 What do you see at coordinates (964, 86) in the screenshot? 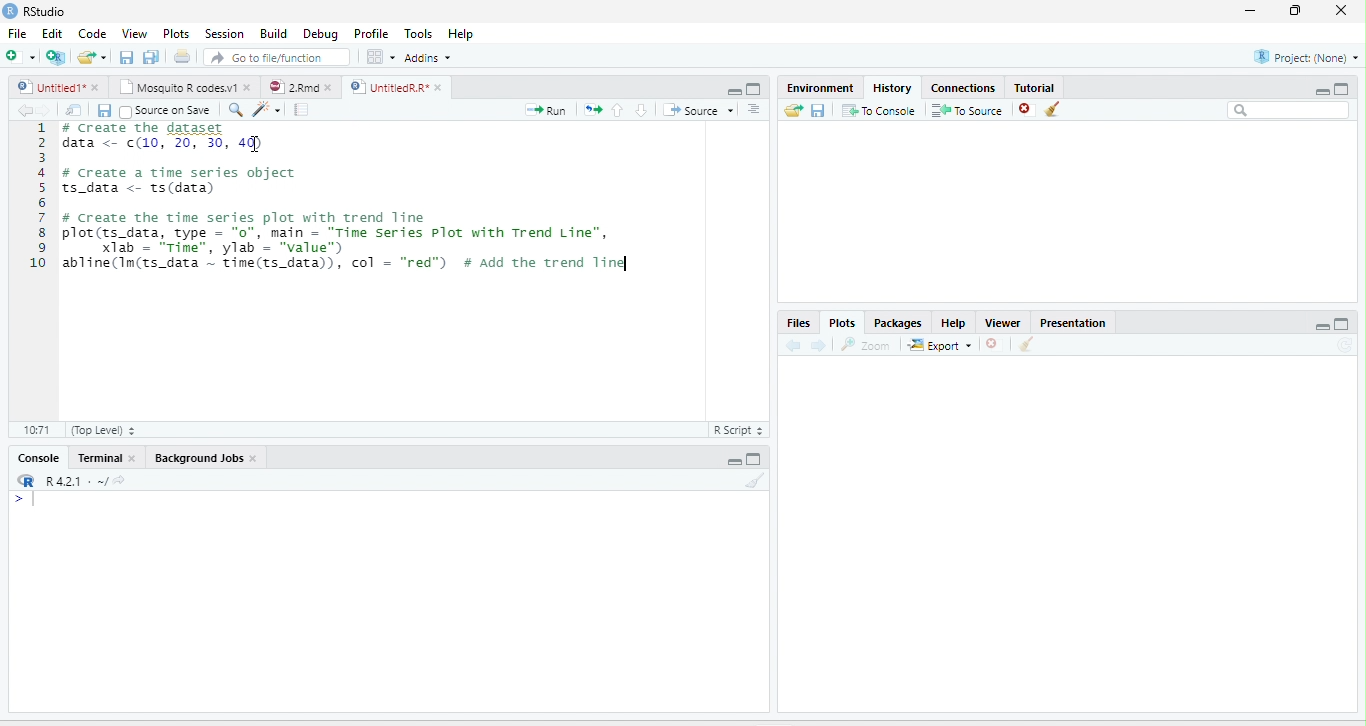
I see `Connections` at bounding box center [964, 86].